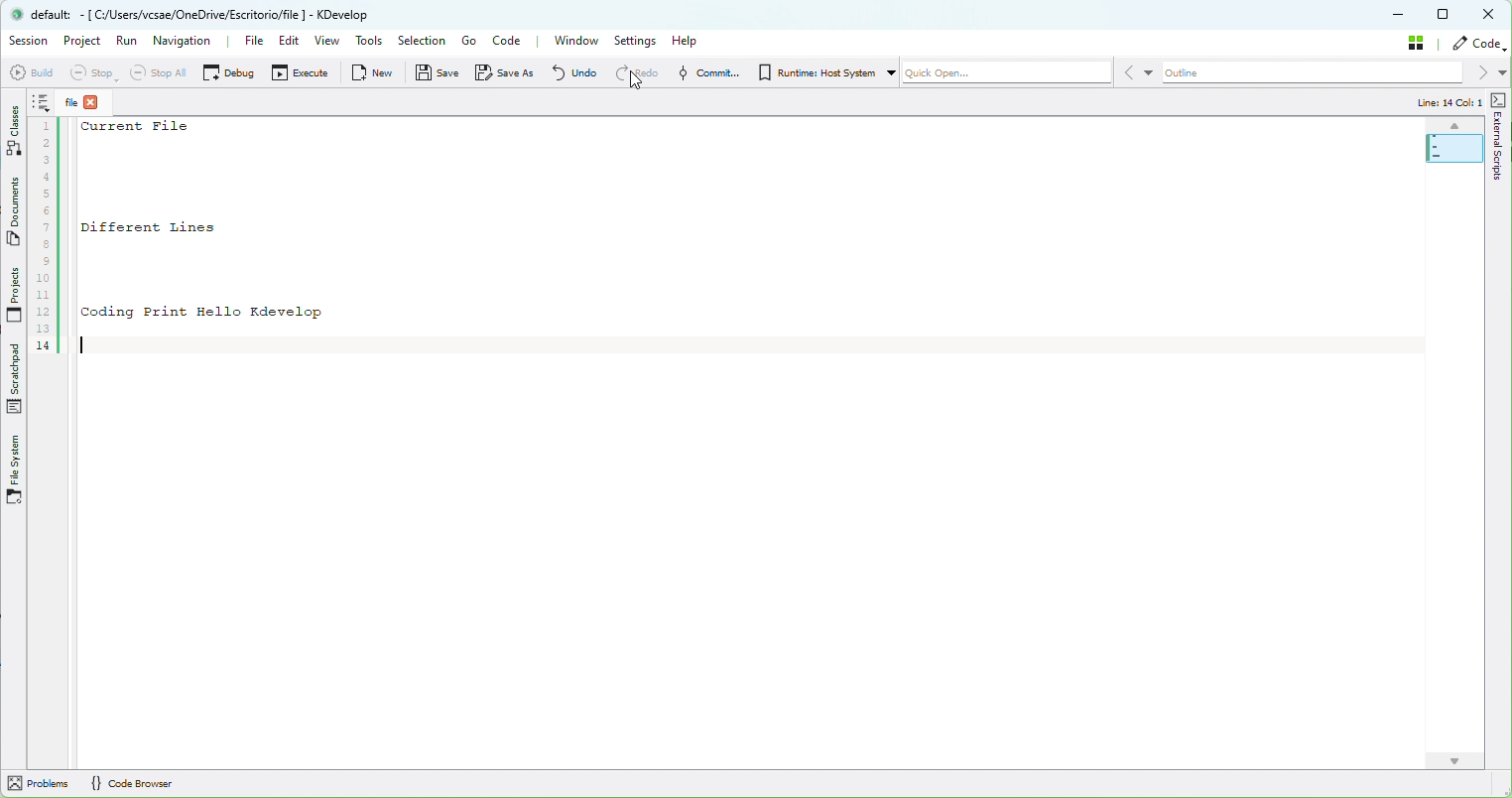 This screenshot has height=798, width=1512. What do you see at coordinates (1490, 14) in the screenshot?
I see `Close` at bounding box center [1490, 14].